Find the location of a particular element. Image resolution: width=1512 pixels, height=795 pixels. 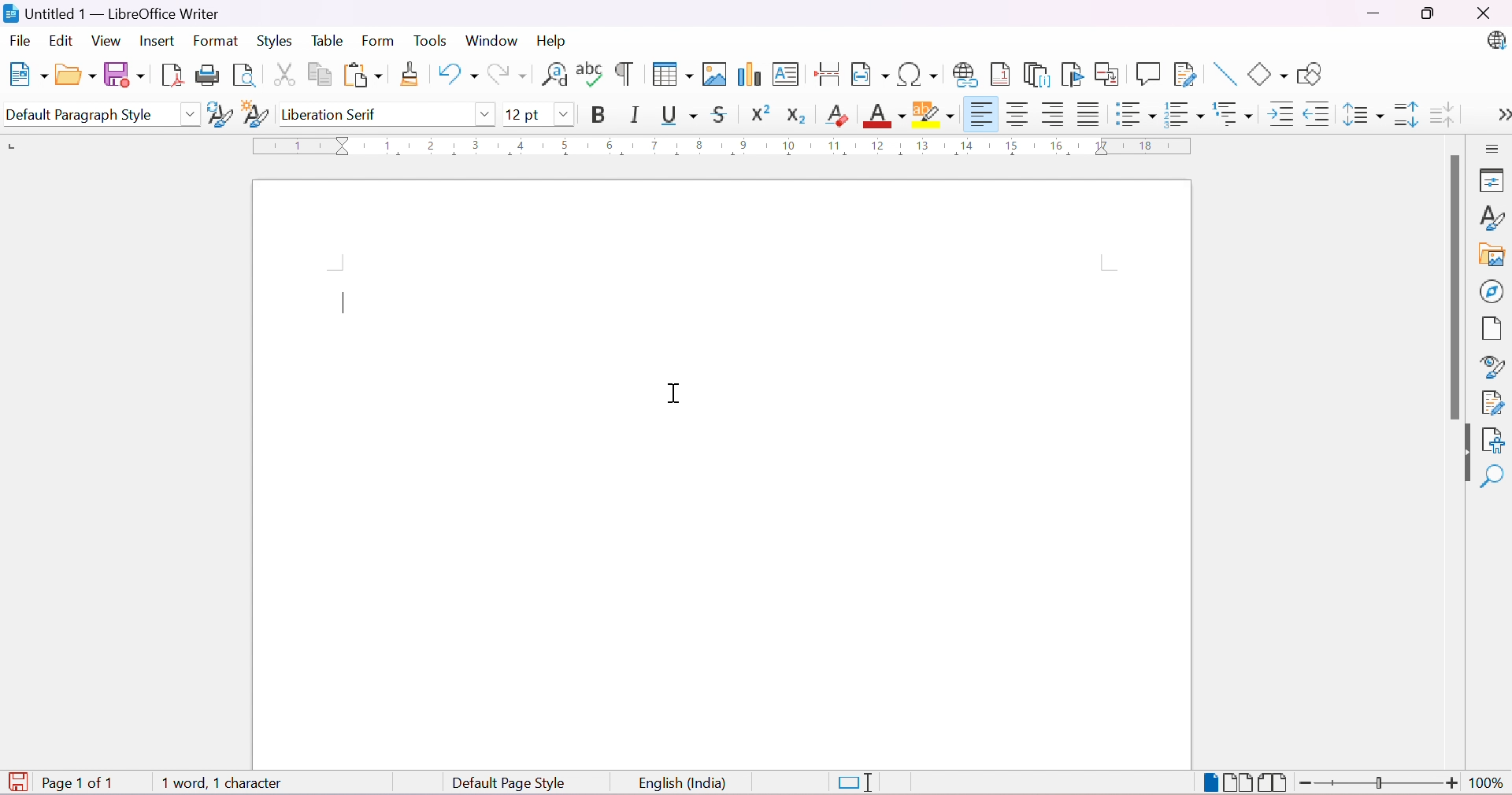

Hide is located at coordinates (1466, 454).